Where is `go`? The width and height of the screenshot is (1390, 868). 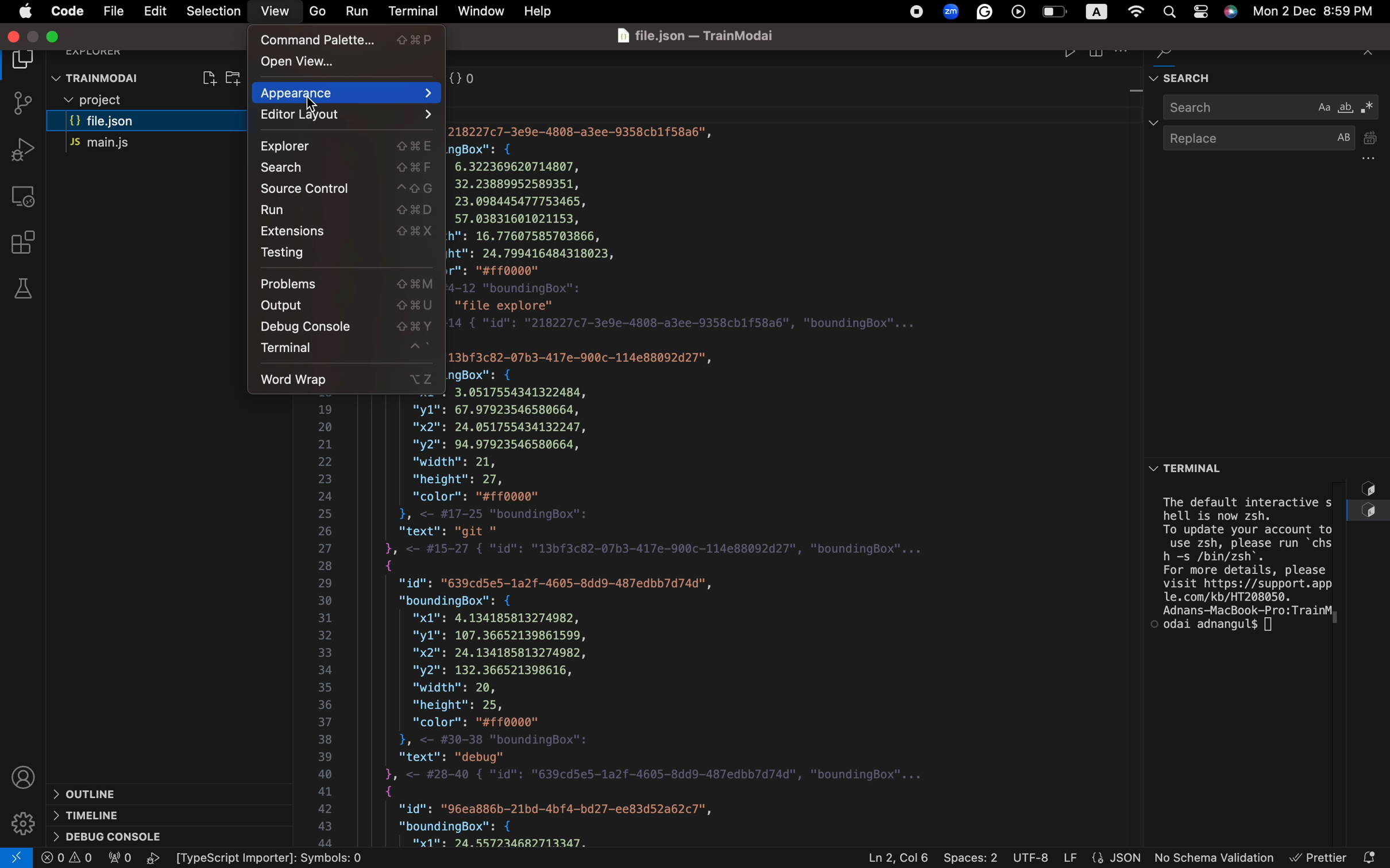 go is located at coordinates (316, 10).